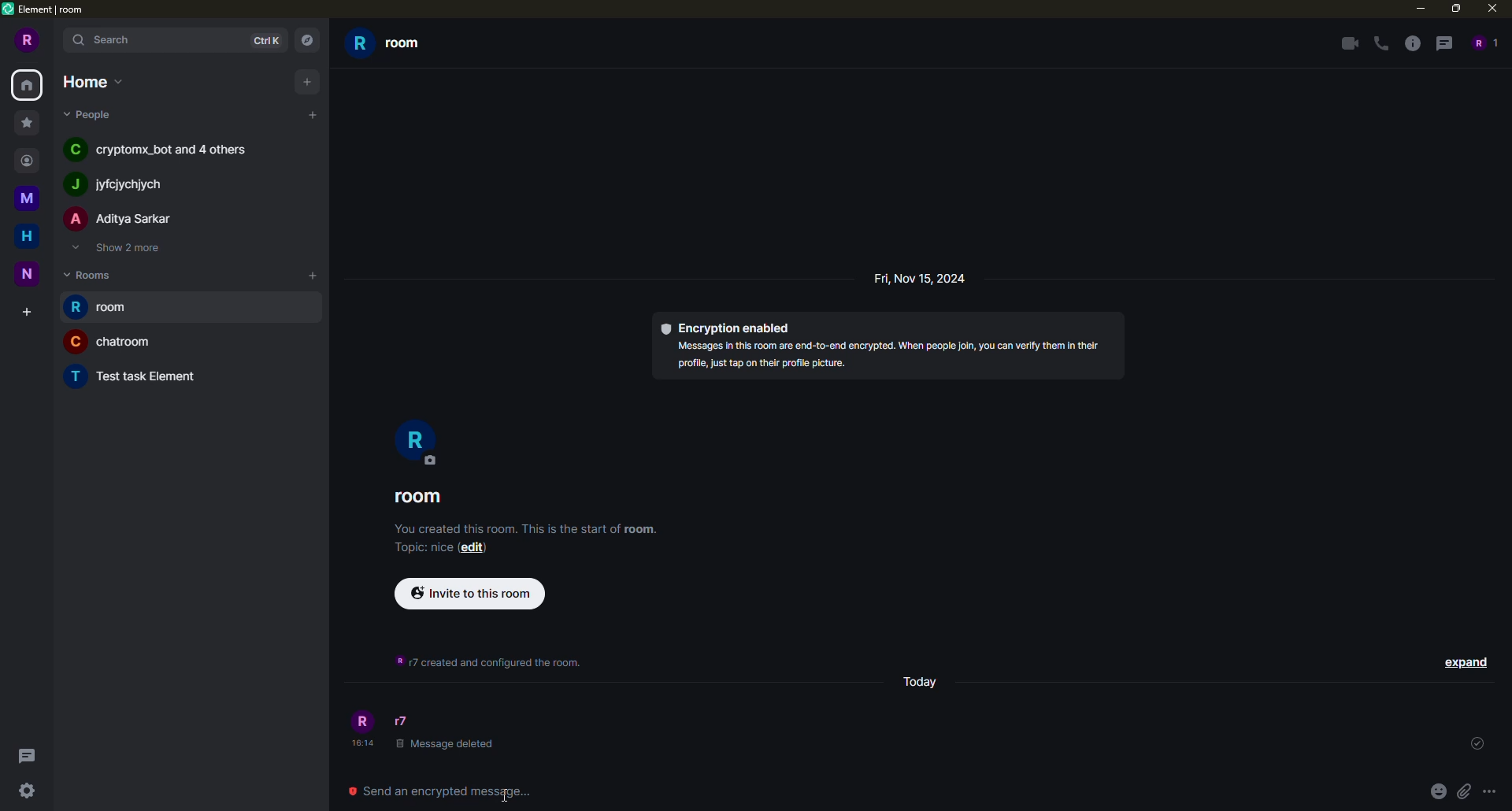 This screenshot has width=1512, height=811. What do you see at coordinates (24, 235) in the screenshot?
I see `home` at bounding box center [24, 235].